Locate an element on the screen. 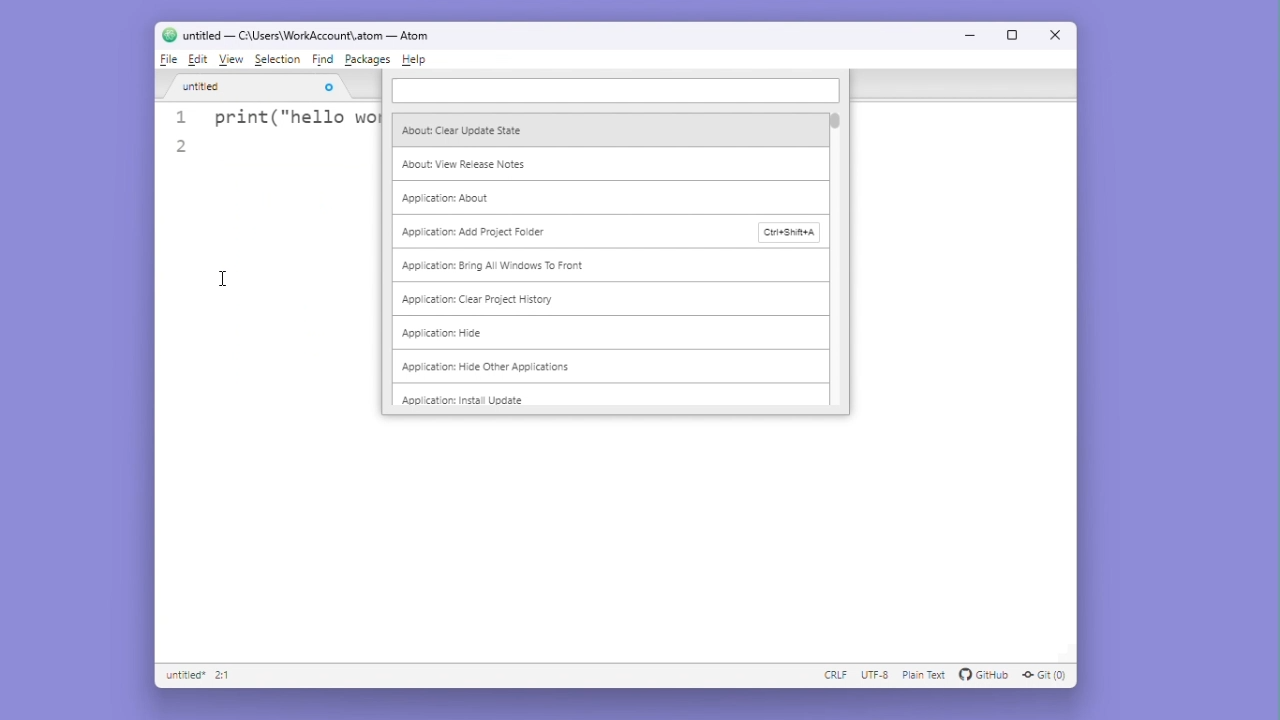  Application add project folder is located at coordinates (483, 233).